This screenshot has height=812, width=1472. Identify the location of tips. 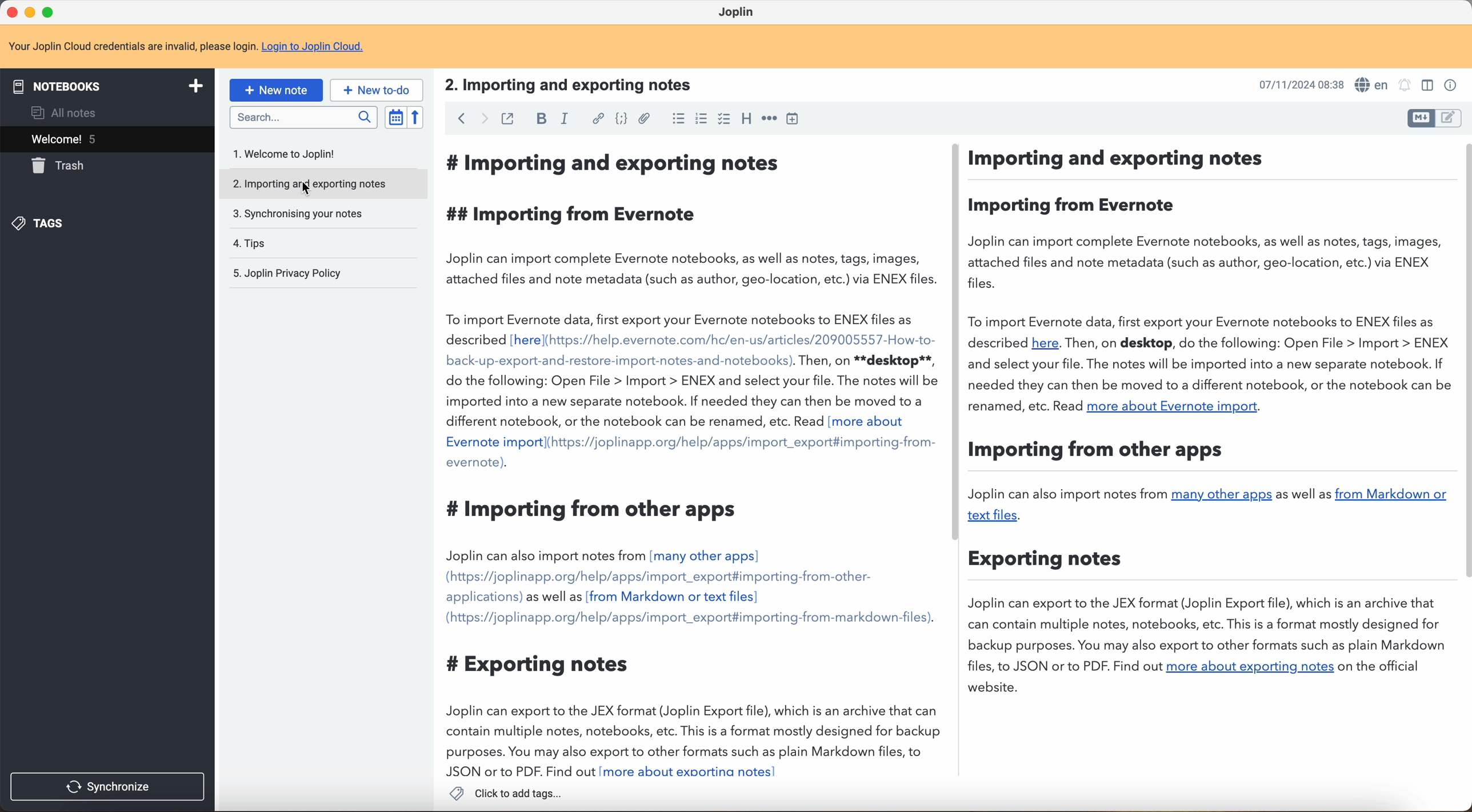
(253, 242).